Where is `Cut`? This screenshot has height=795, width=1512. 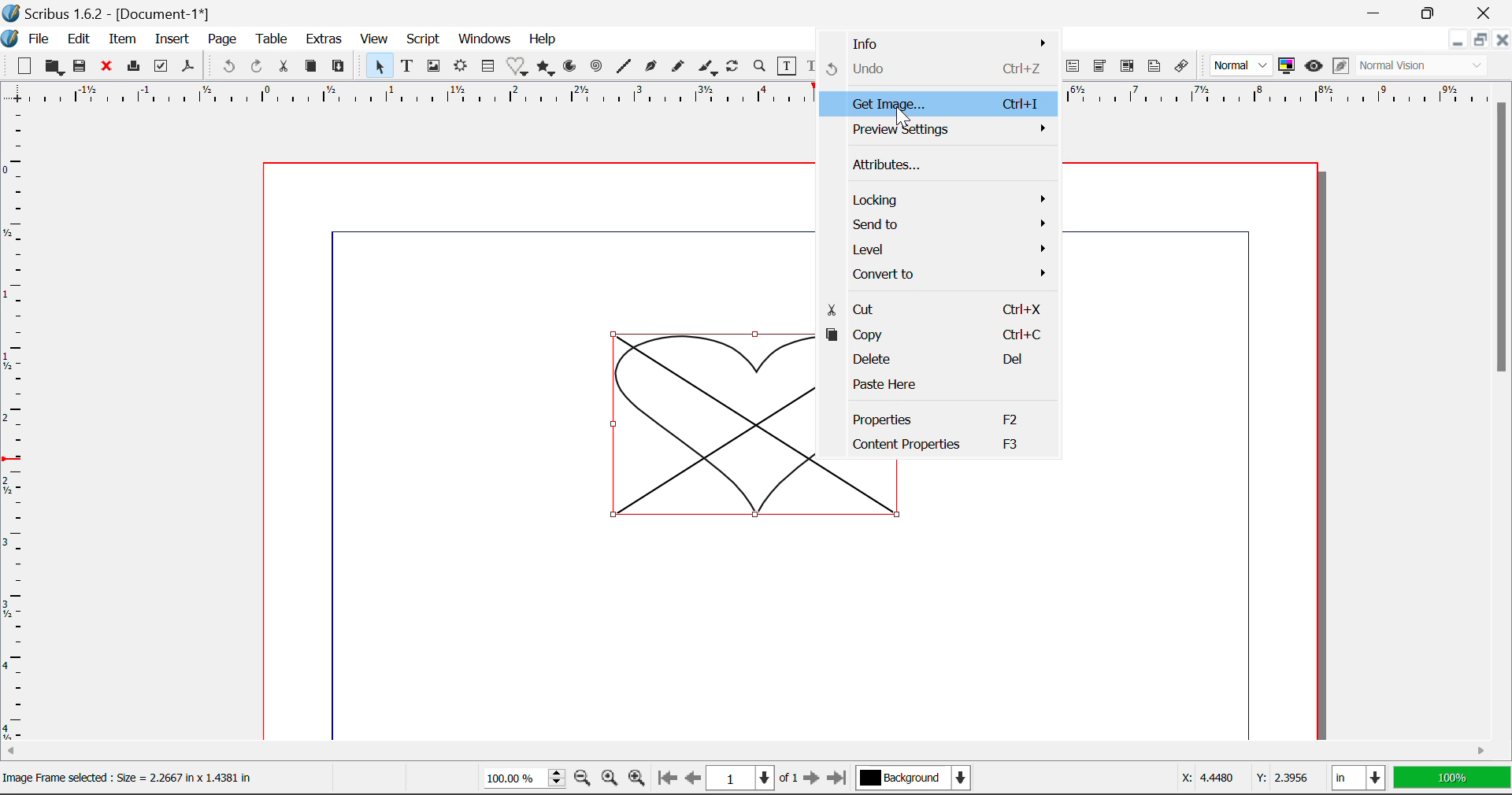
Cut is located at coordinates (287, 65).